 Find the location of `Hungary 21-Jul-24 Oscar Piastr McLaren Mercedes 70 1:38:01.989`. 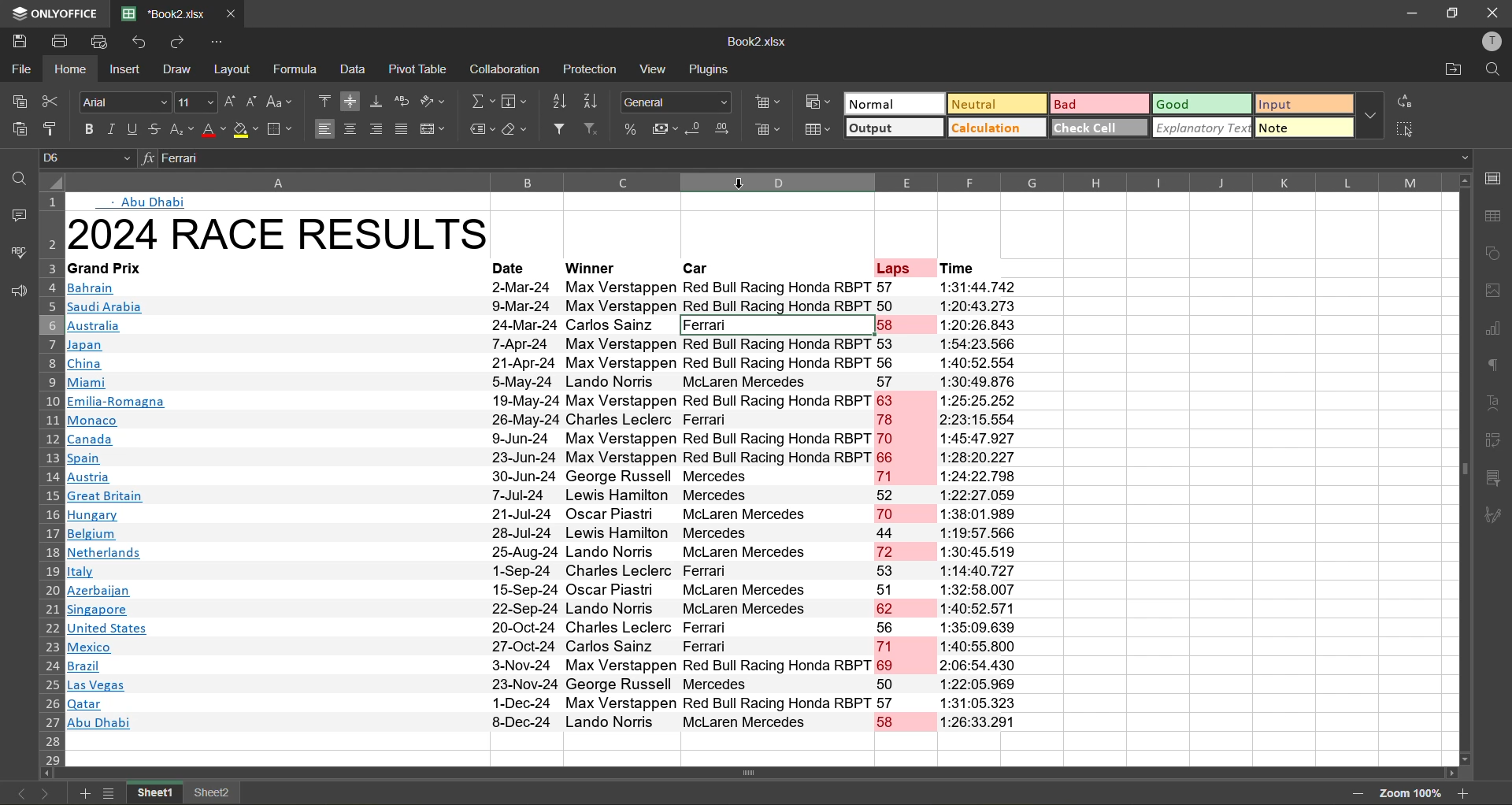

Hungary 21-Jul-24 Oscar Piastr McLaren Mercedes 70 1:38:01.989 is located at coordinates (547, 514).